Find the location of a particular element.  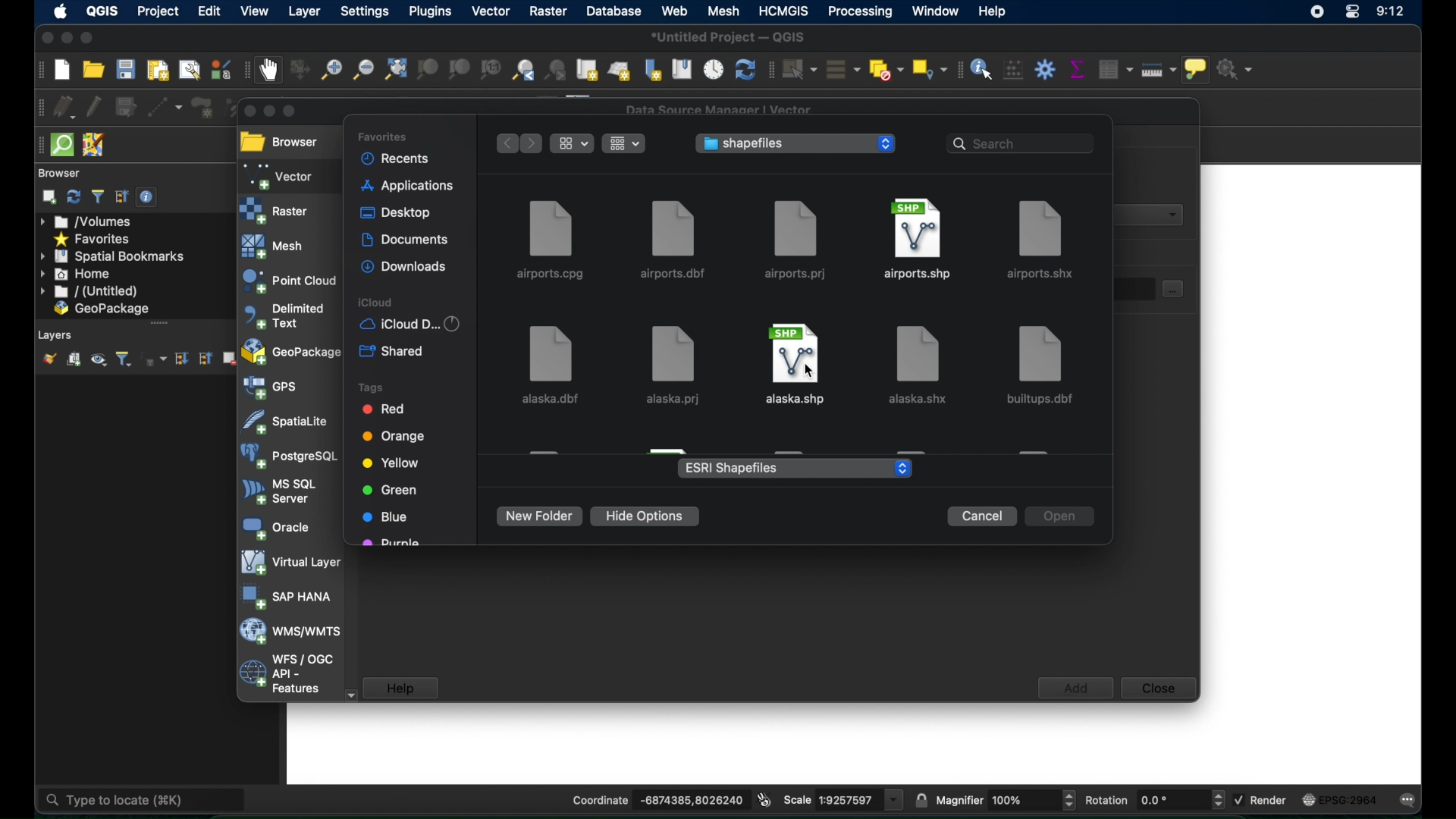

addselected layers is located at coordinates (49, 197).